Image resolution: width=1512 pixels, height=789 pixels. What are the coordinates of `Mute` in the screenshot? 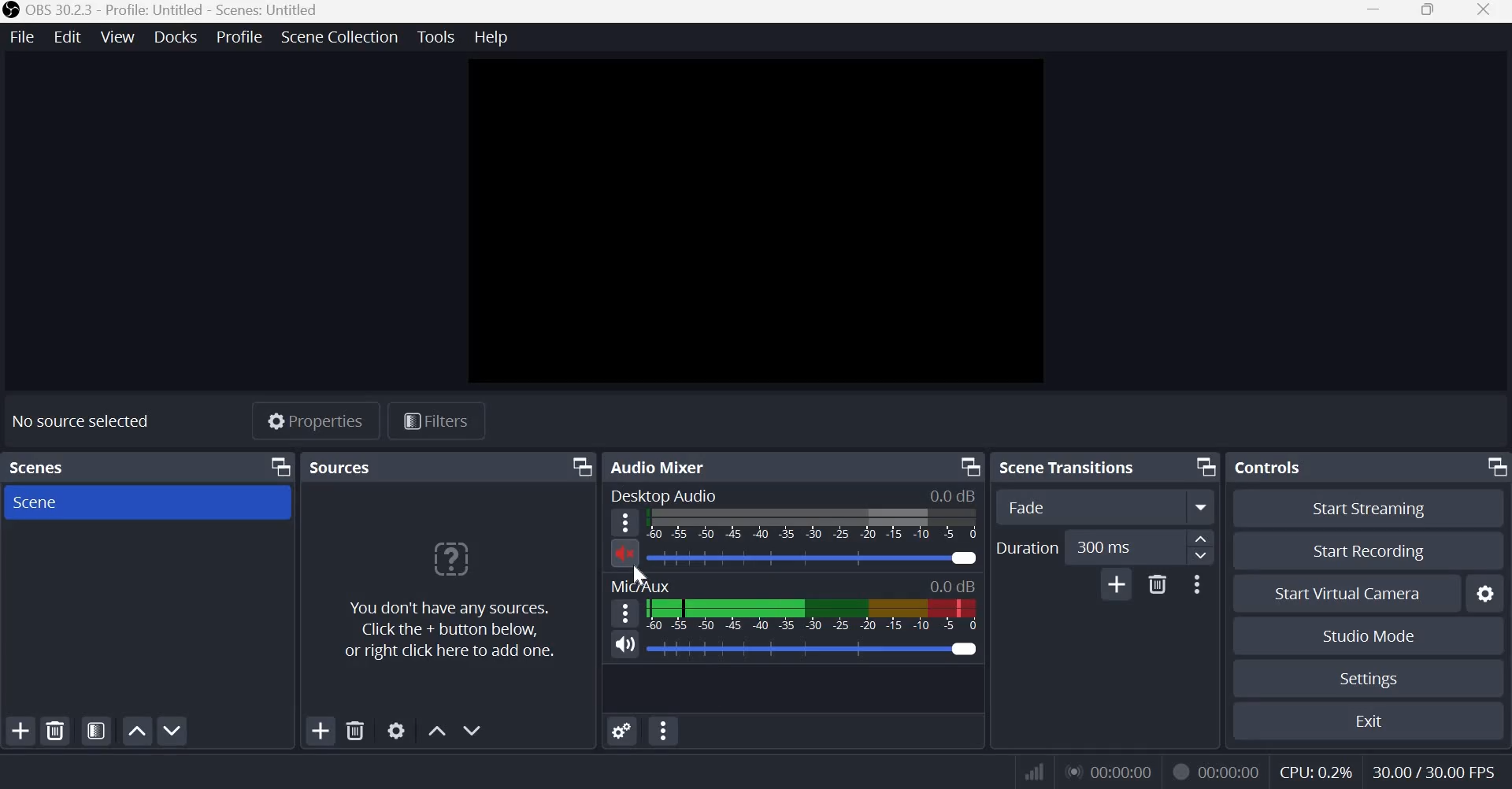 It's located at (624, 552).